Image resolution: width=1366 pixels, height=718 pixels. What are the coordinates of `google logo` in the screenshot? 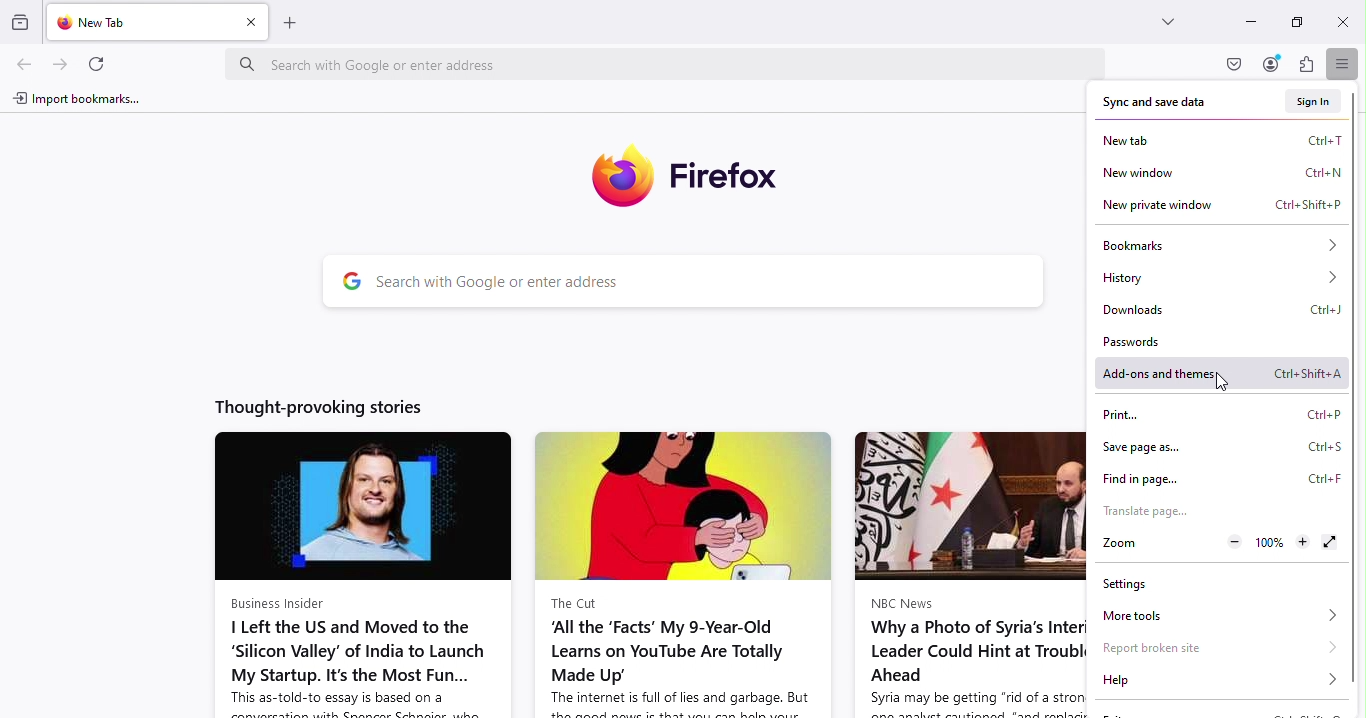 It's located at (346, 283).